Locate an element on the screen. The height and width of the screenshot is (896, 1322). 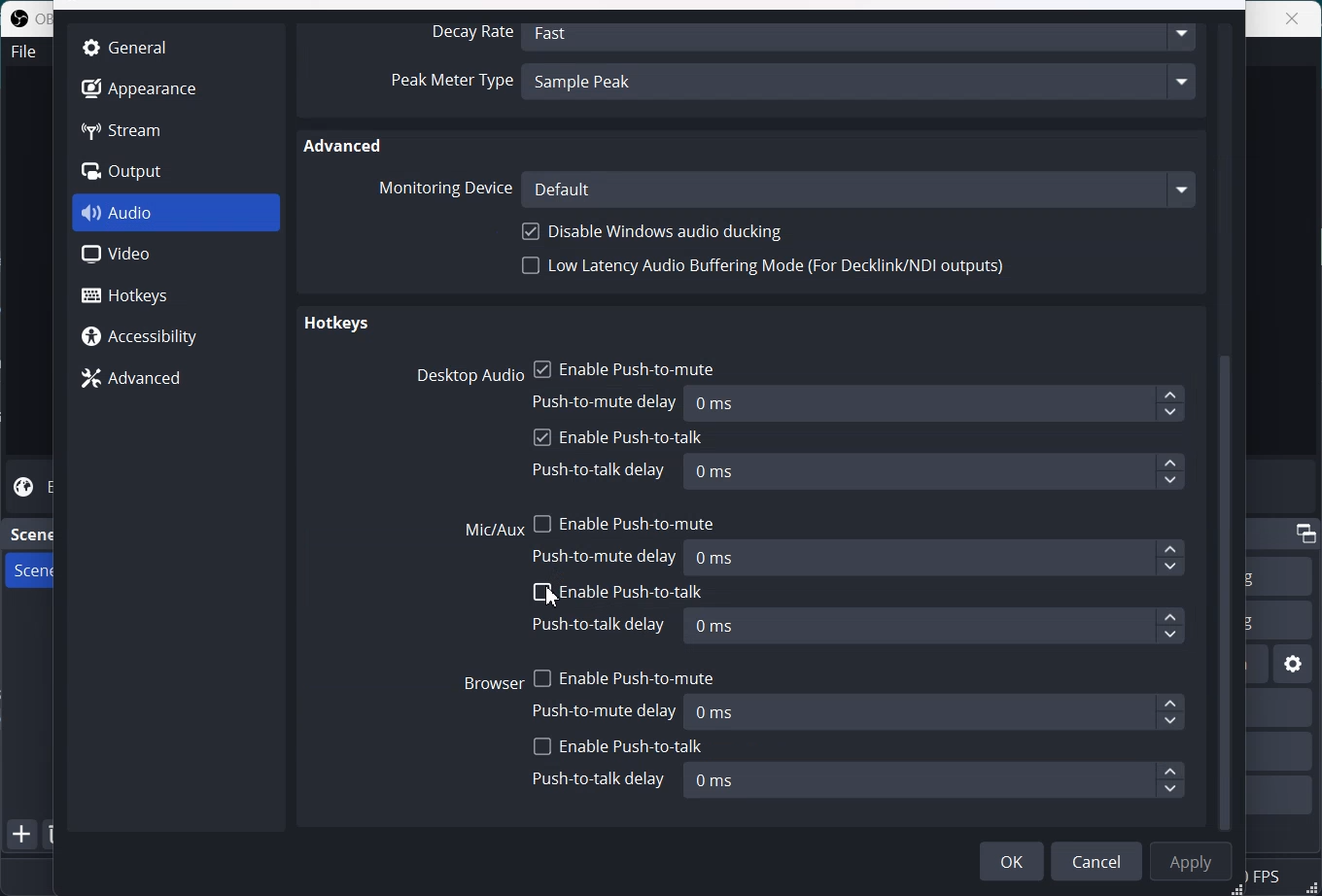
Audio is located at coordinates (177, 213).